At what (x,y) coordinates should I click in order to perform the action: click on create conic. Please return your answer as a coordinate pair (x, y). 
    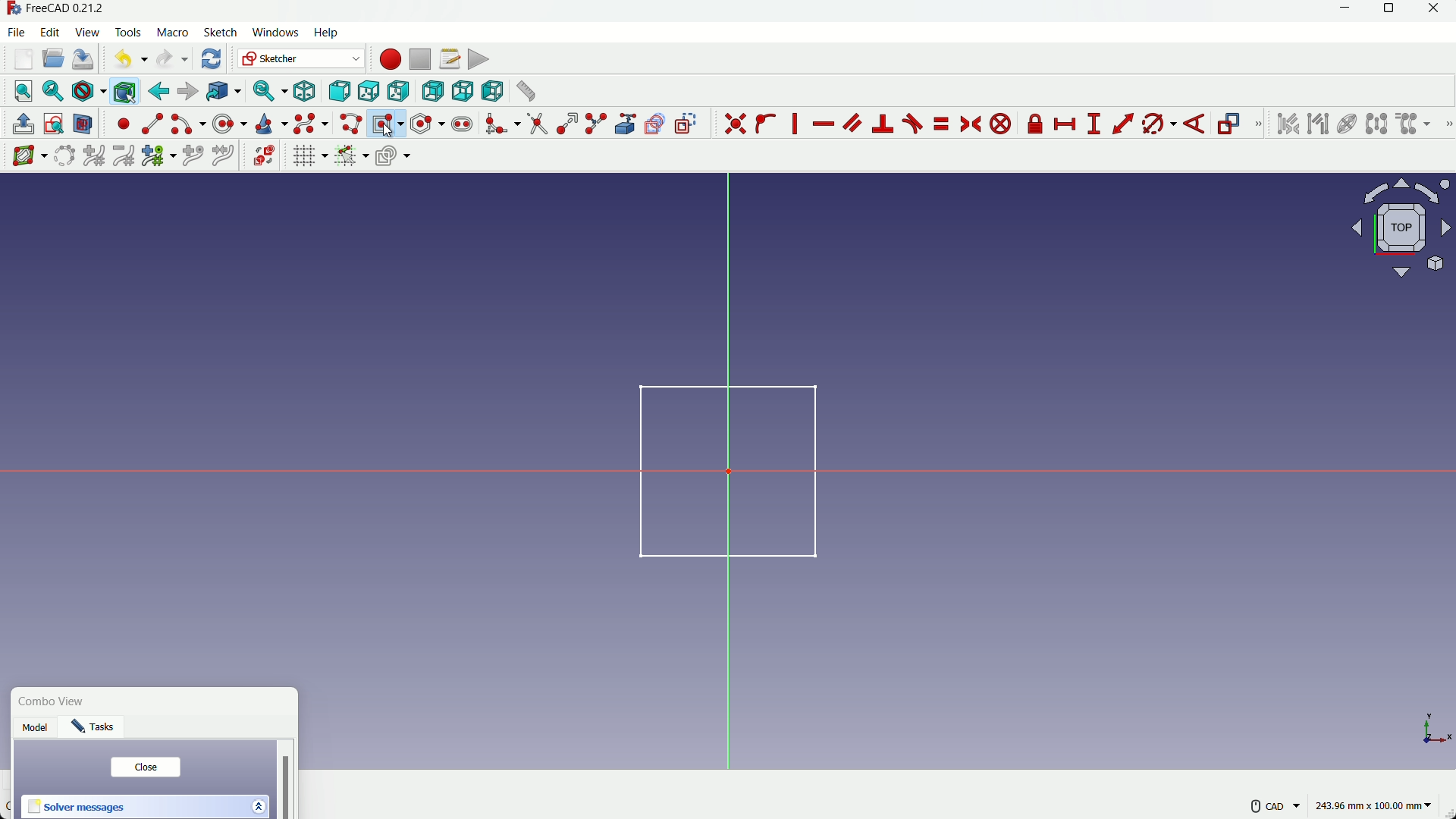
    Looking at the image, I should click on (270, 123).